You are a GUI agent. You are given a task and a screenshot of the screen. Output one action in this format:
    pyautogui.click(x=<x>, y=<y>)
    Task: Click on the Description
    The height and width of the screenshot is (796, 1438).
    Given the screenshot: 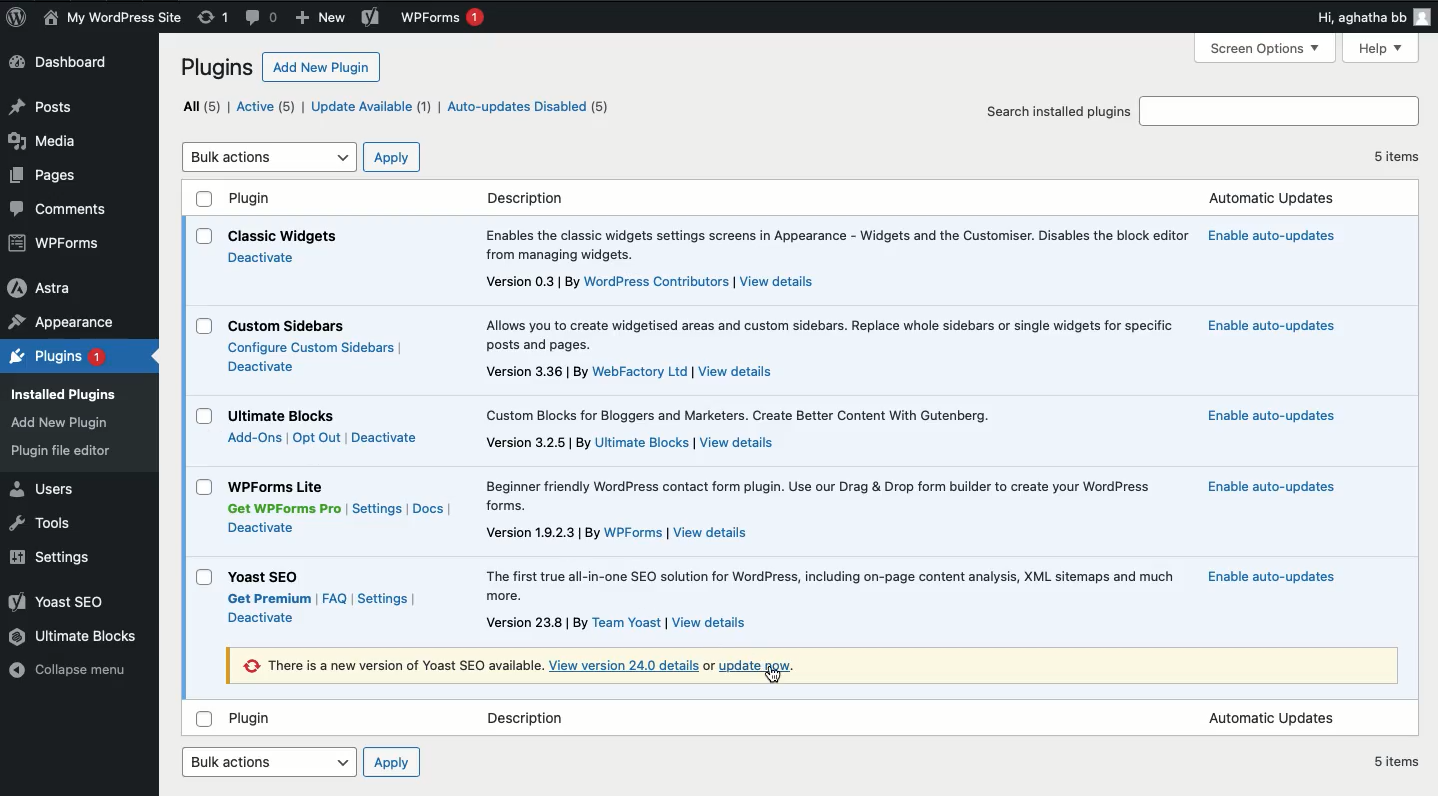 What is the action you would take?
    pyautogui.click(x=631, y=444)
    